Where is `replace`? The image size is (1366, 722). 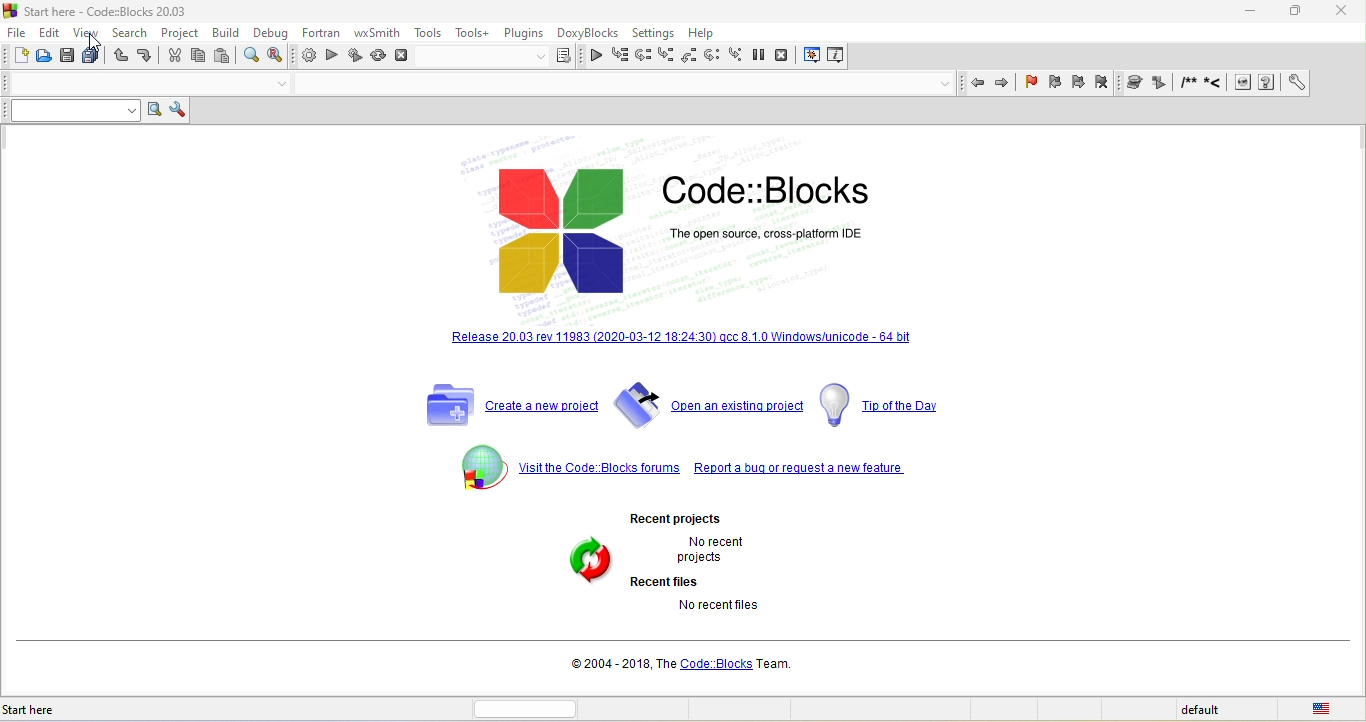
replace is located at coordinates (276, 56).